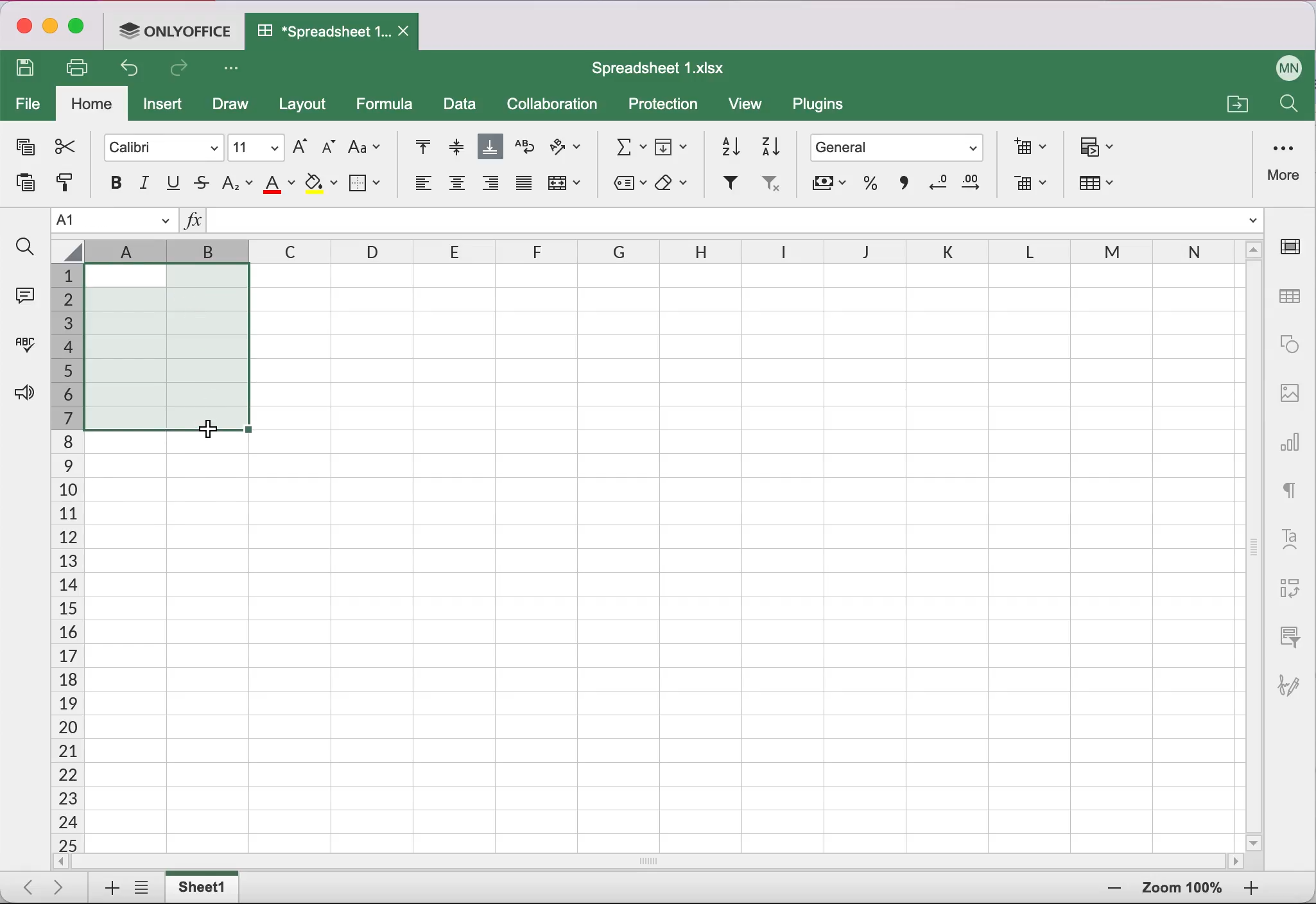 The width and height of the screenshot is (1316, 904). Describe the element at coordinates (627, 185) in the screenshot. I see `named ranges` at that location.